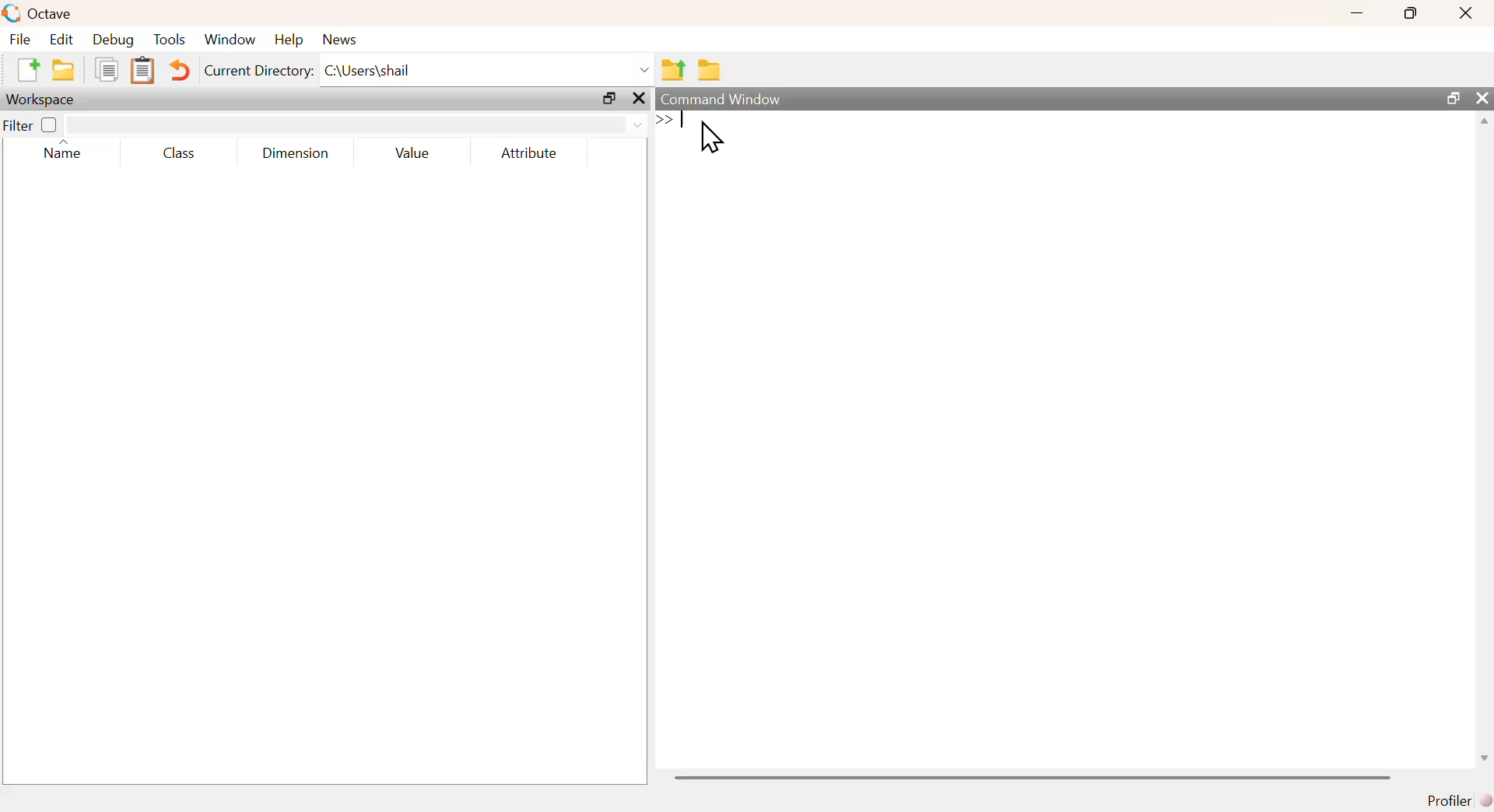 The height and width of the screenshot is (812, 1494). I want to click on browse directories, so click(710, 72).